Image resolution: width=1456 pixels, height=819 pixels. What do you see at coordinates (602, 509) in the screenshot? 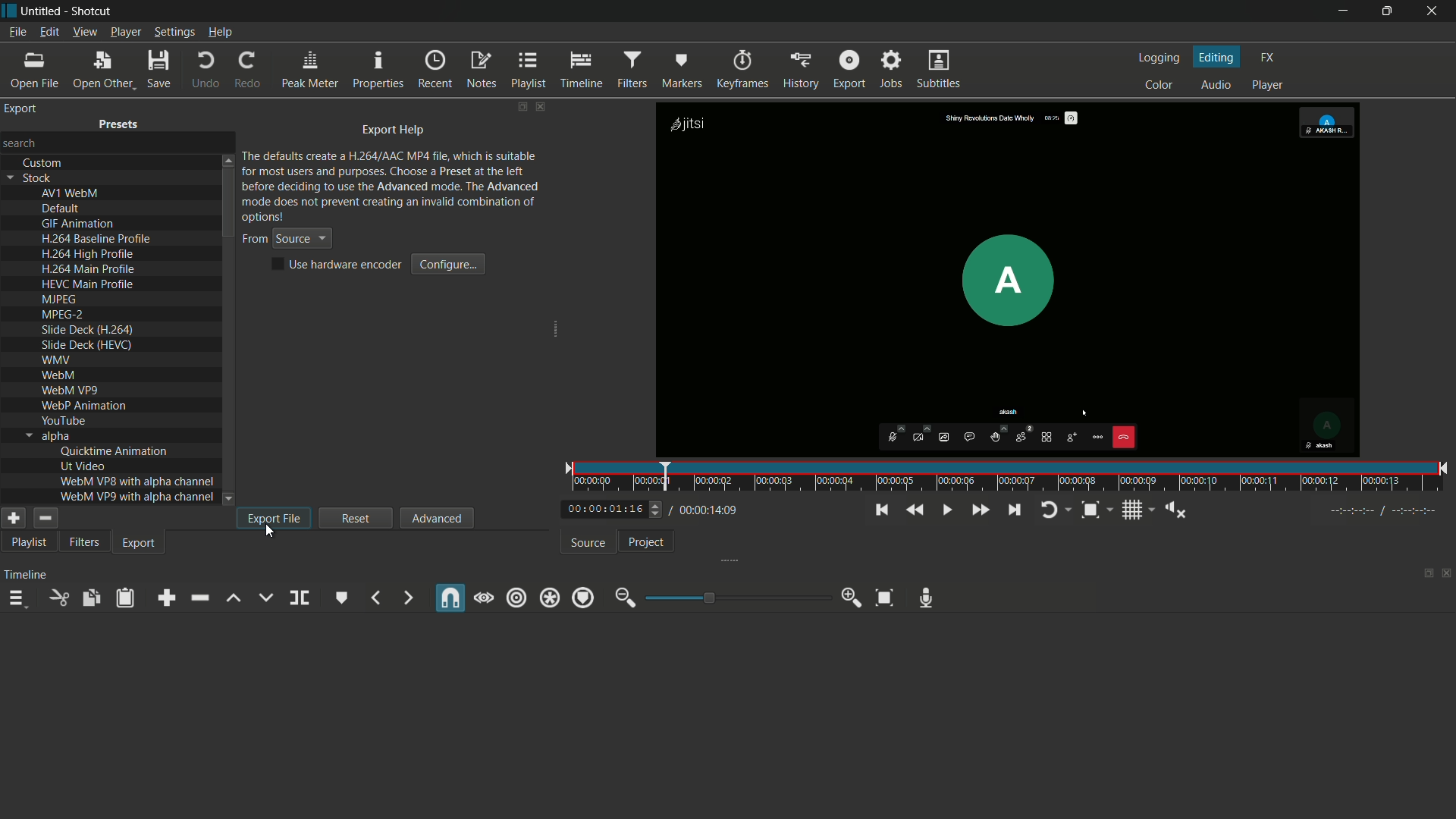
I see `current time` at bounding box center [602, 509].